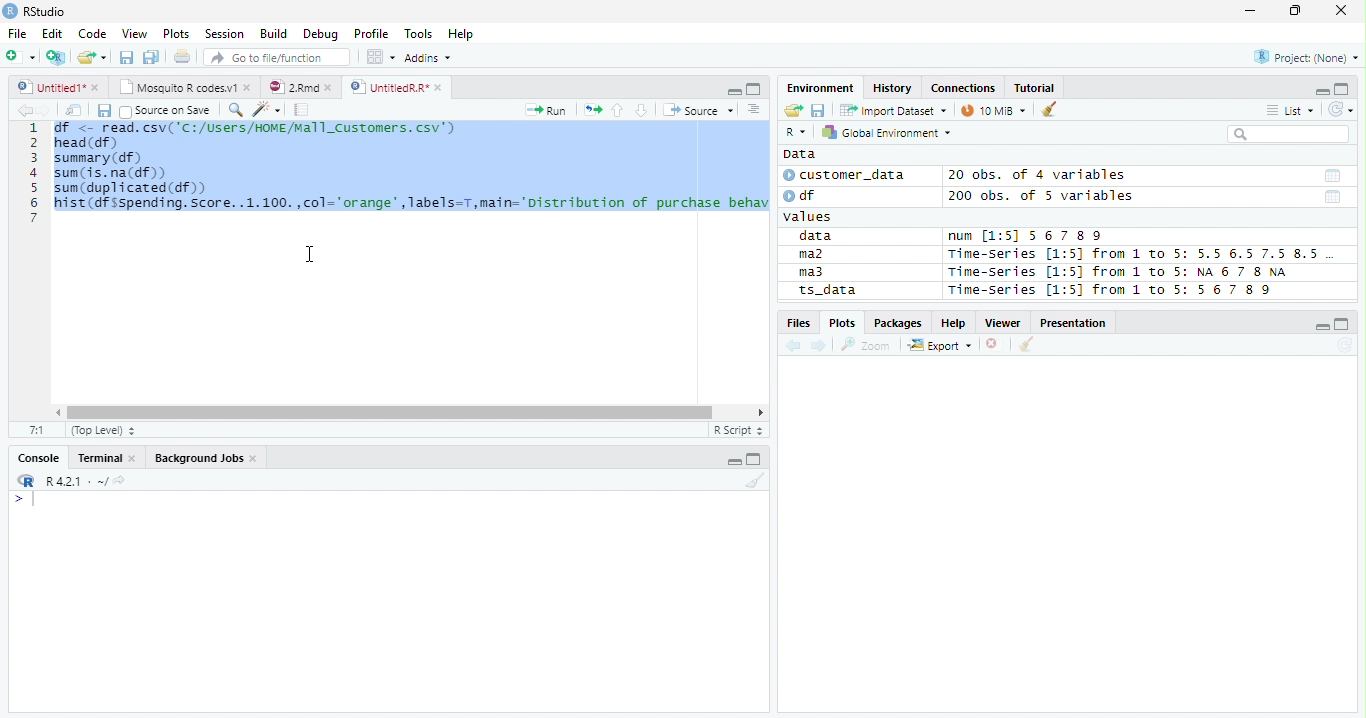 This screenshot has height=718, width=1366. What do you see at coordinates (806, 195) in the screenshot?
I see `df` at bounding box center [806, 195].